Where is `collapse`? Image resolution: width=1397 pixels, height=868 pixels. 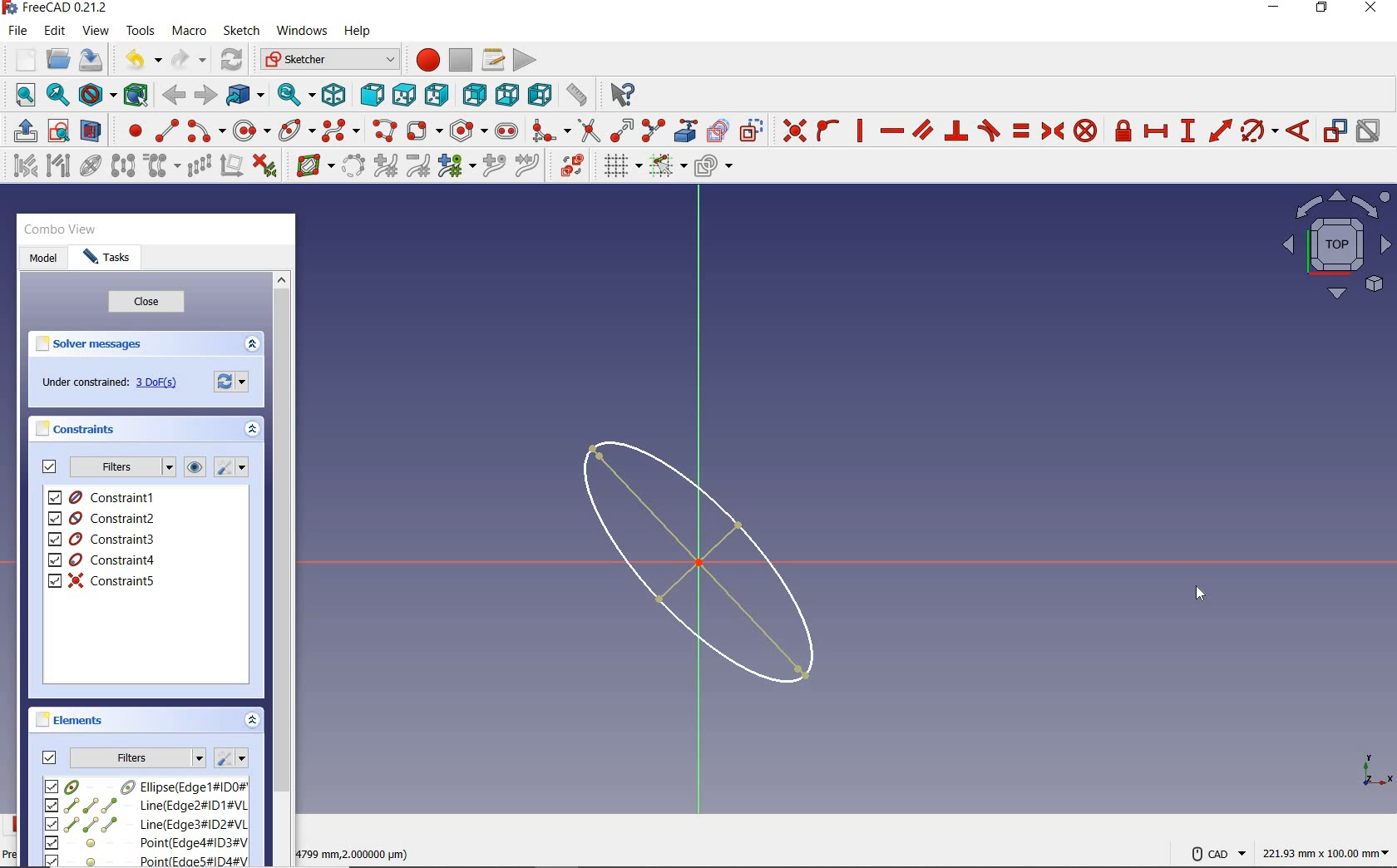
collapse is located at coordinates (254, 432).